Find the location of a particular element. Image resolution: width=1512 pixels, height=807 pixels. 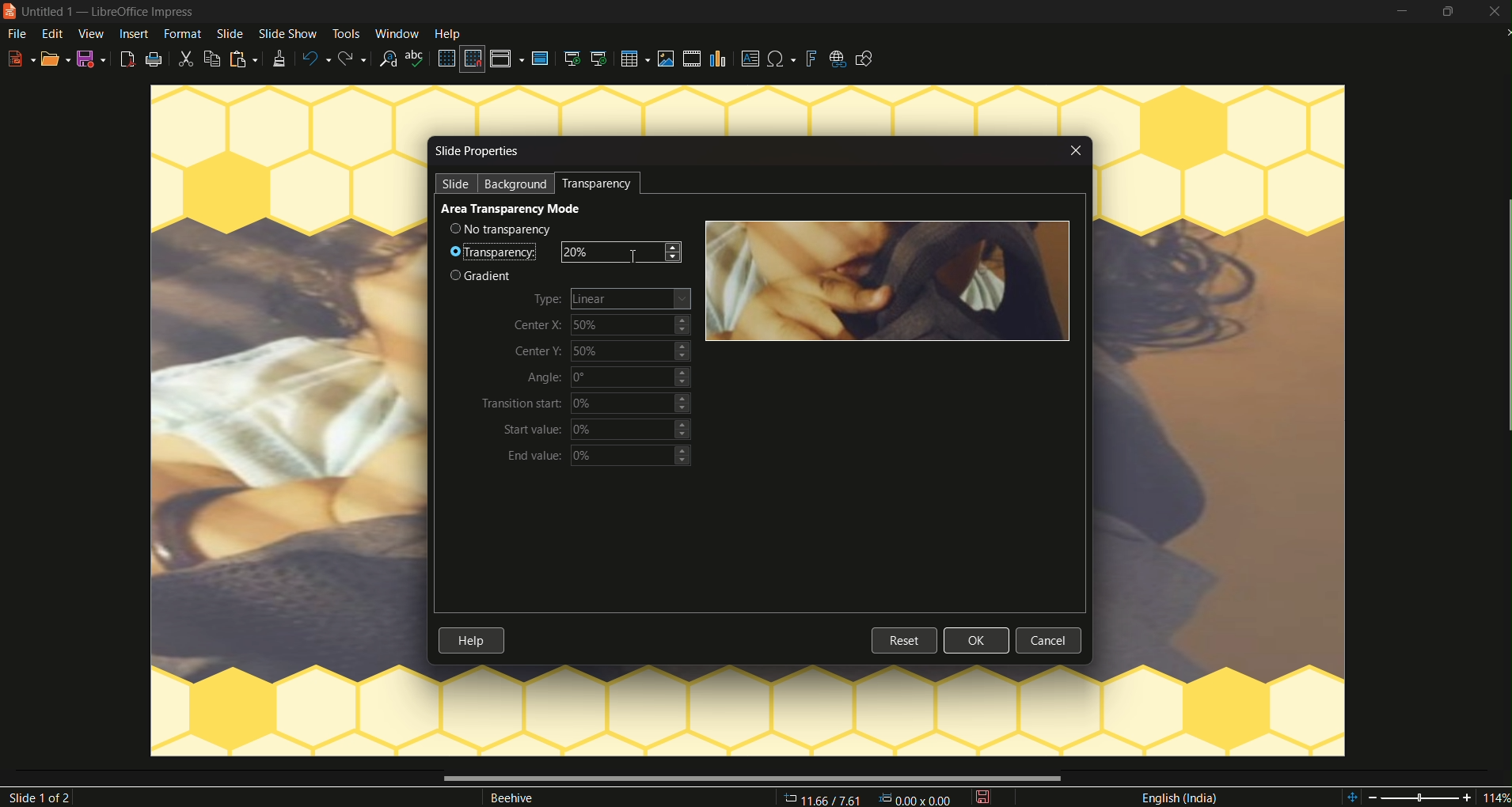

cancel is located at coordinates (1050, 640).